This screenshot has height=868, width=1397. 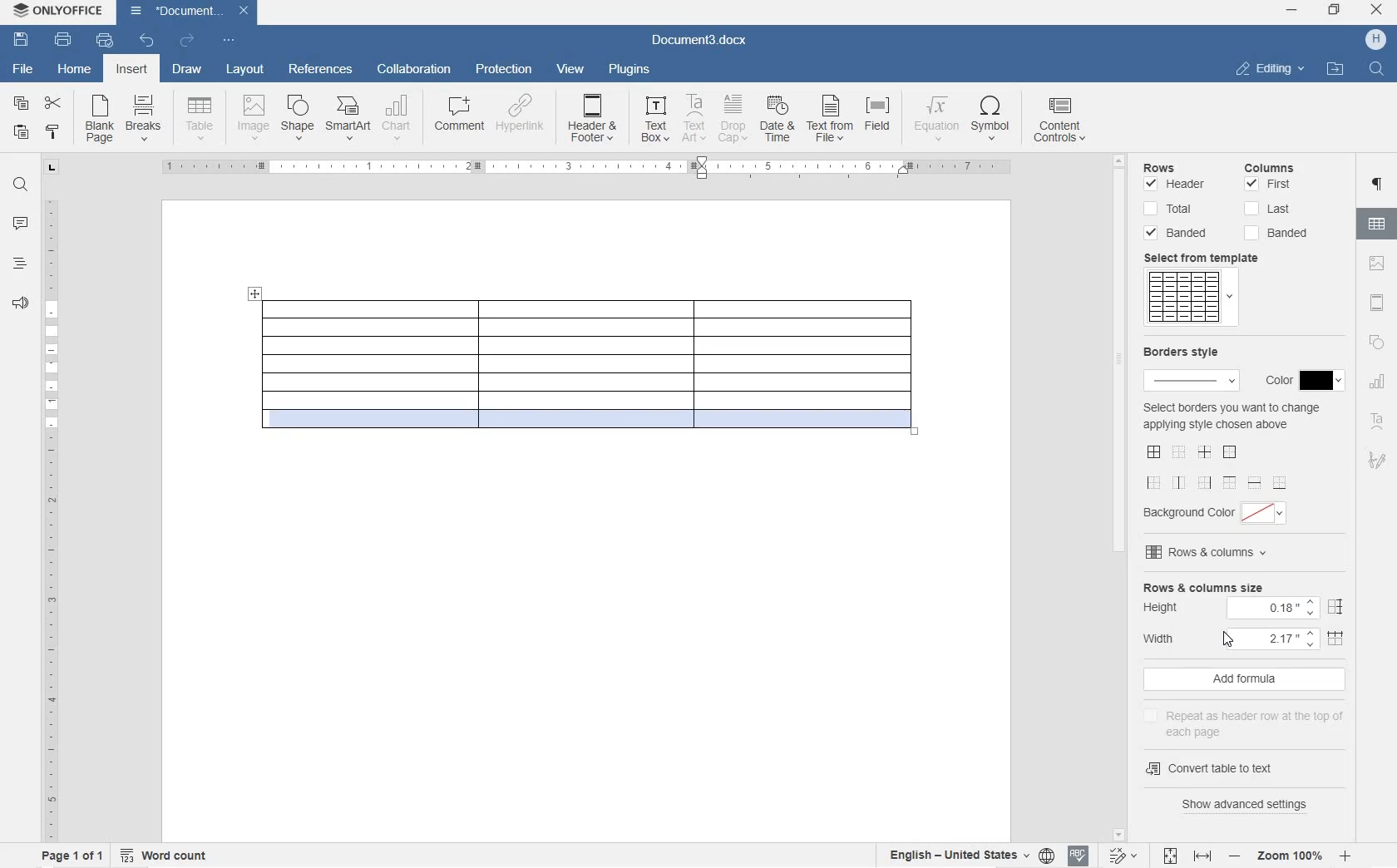 I want to click on template, so click(x=1190, y=298).